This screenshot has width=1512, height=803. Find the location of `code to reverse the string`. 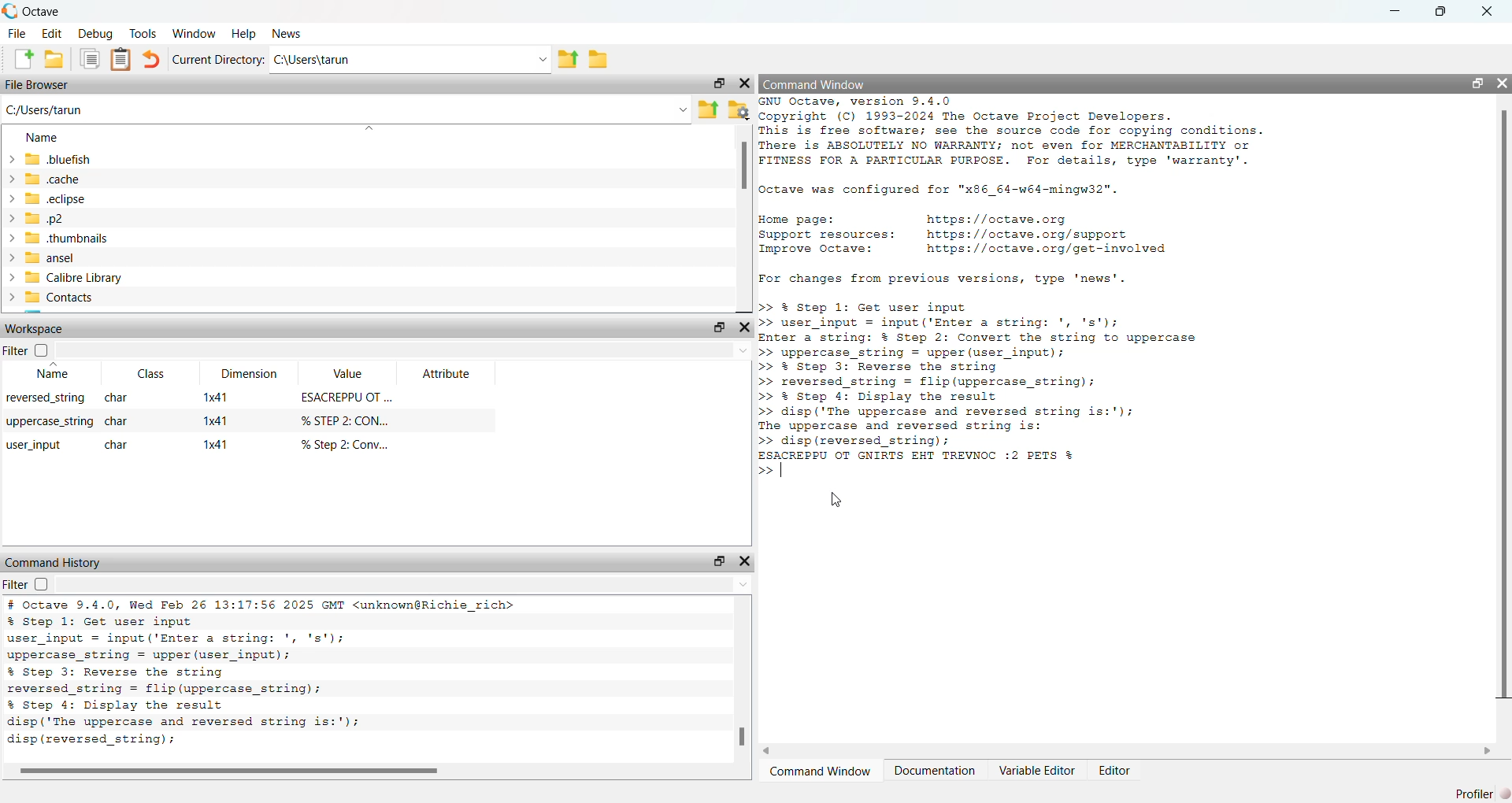

code to reverse the string is located at coordinates (183, 682).